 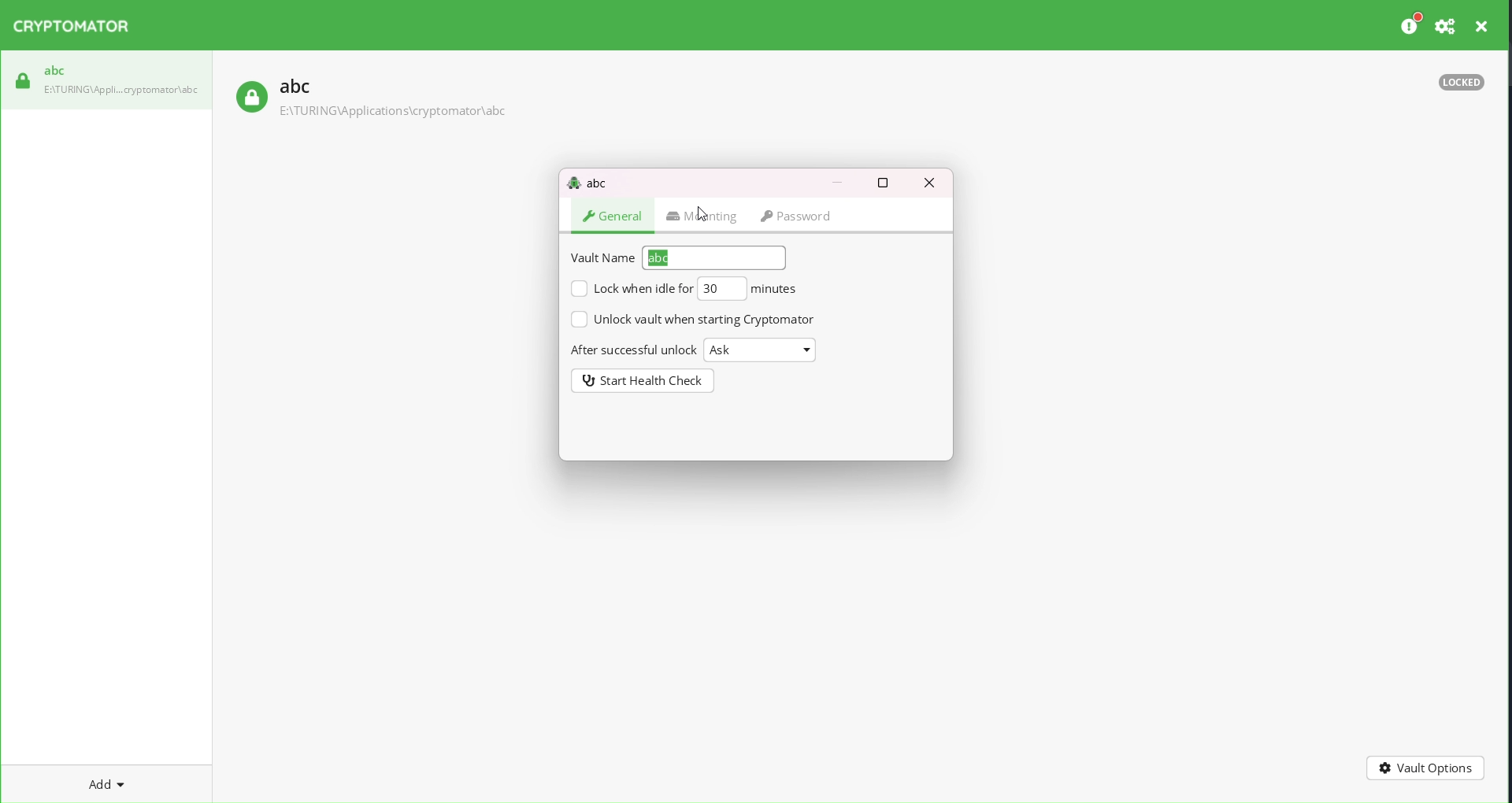 What do you see at coordinates (882, 182) in the screenshot?
I see `maximize` at bounding box center [882, 182].